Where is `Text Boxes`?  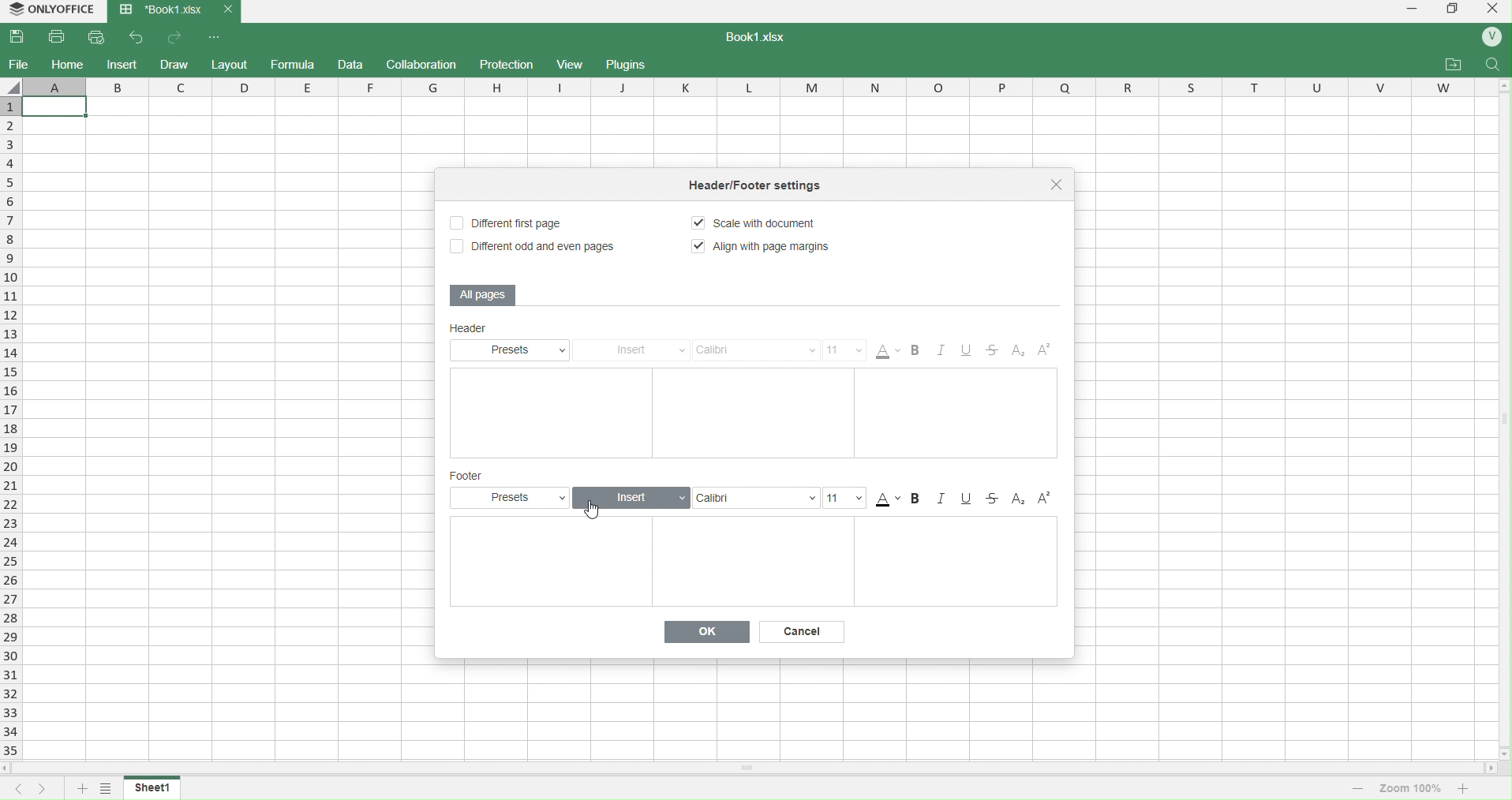
Text Boxes is located at coordinates (754, 413).